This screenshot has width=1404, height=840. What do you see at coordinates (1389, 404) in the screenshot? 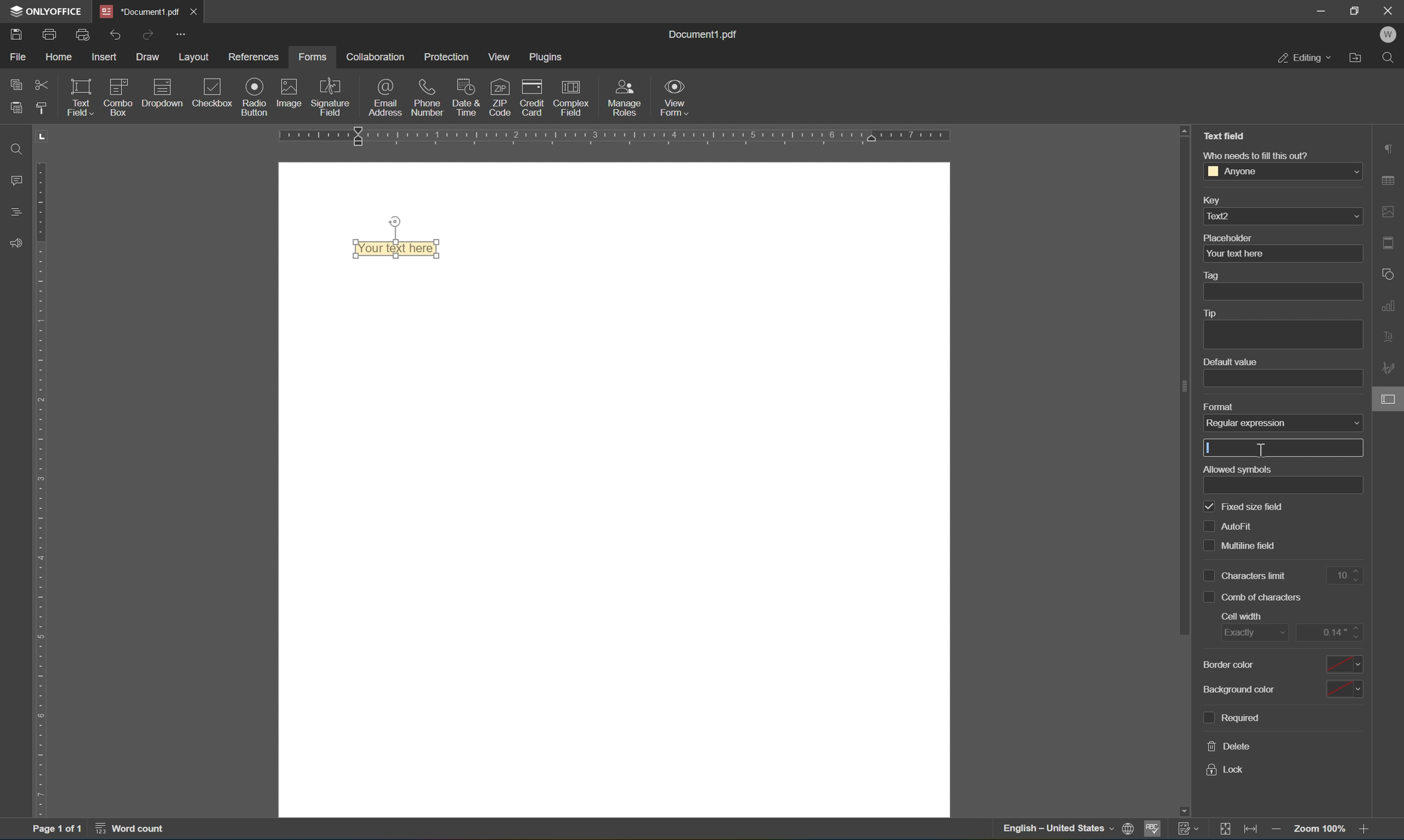
I see `form settings` at bounding box center [1389, 404].